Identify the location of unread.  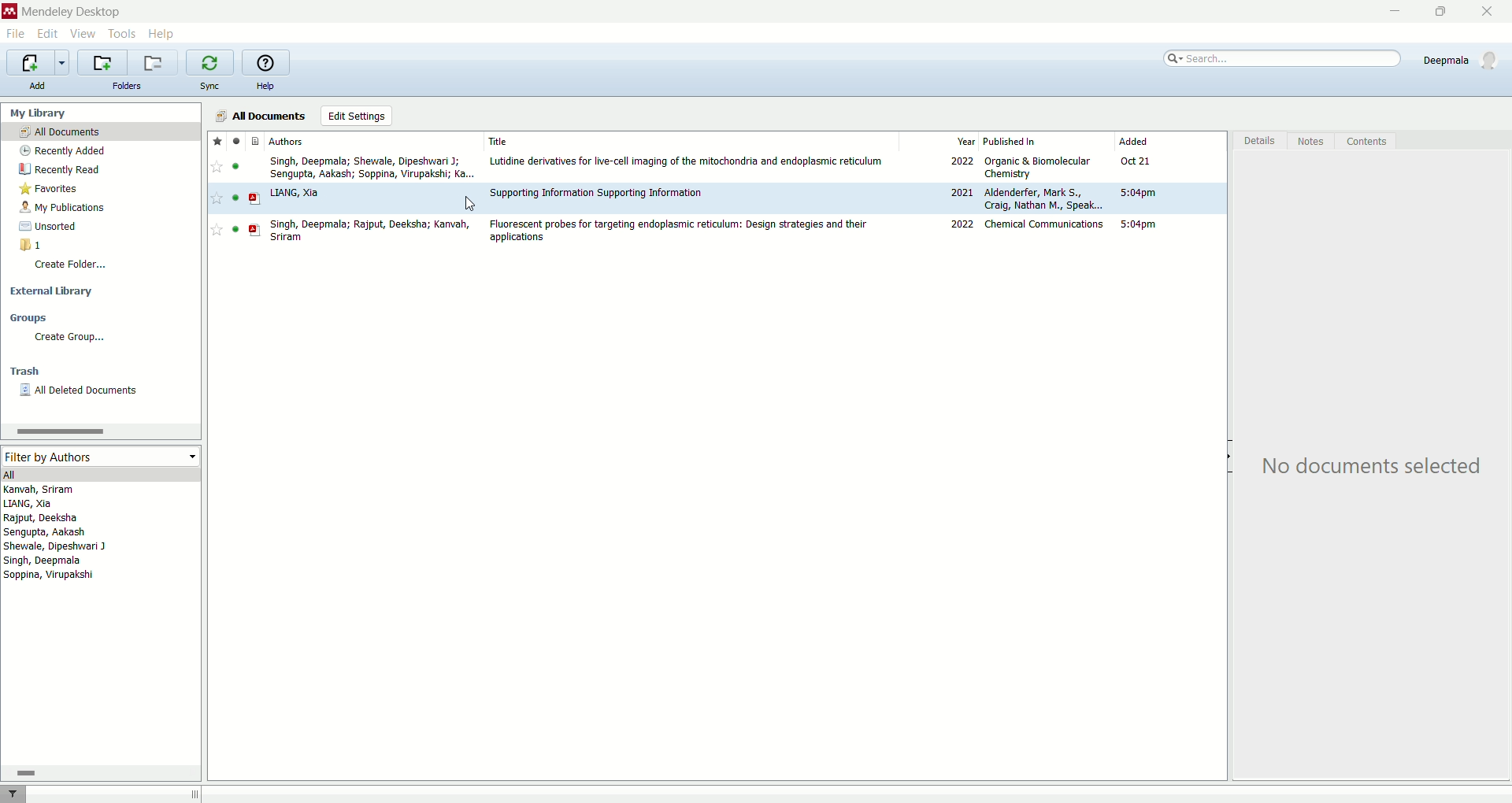
(235, 229).